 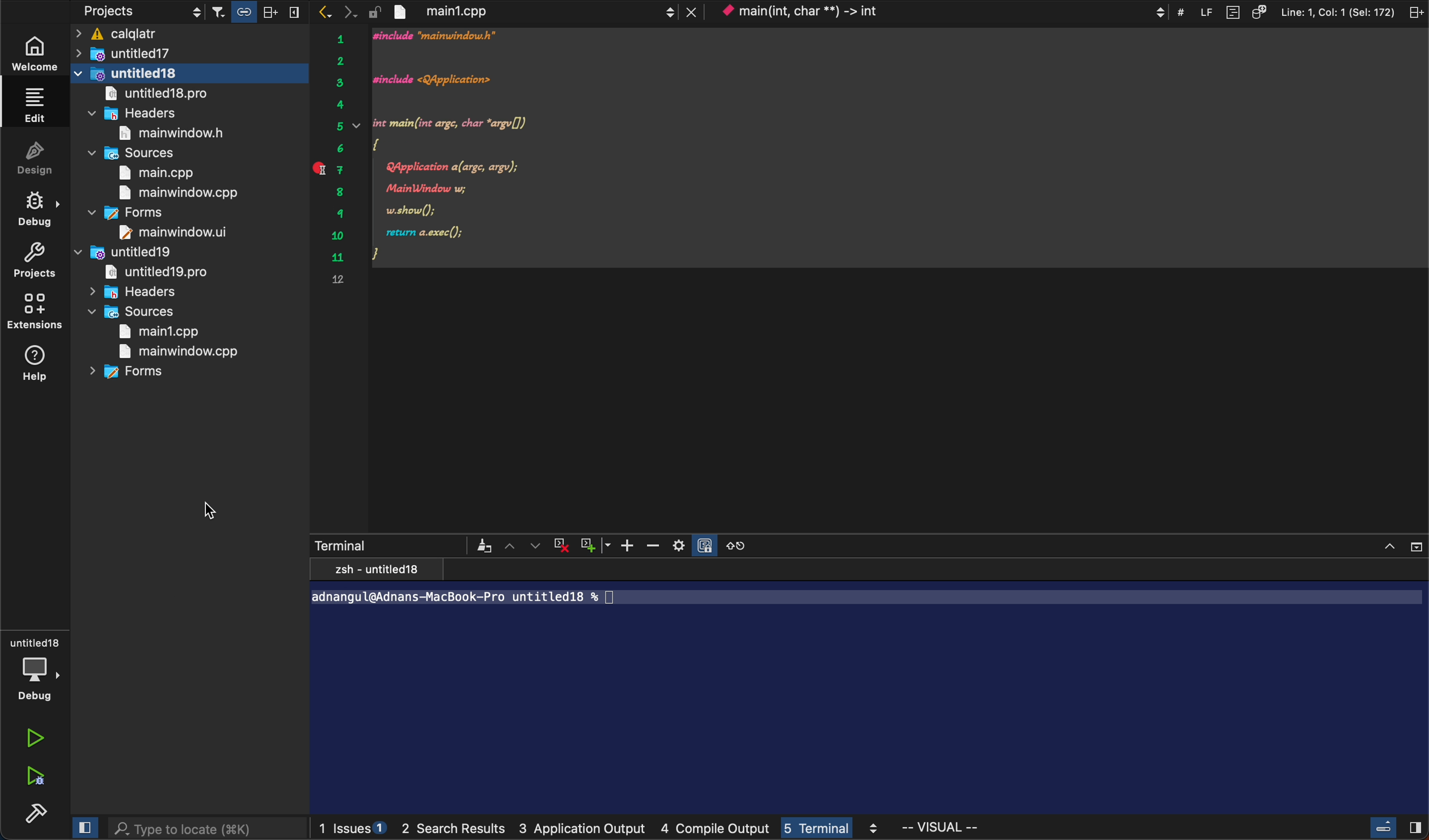 What do you see at coordinates (942, 12) in the screenshot?
I see `context` at bounding box center [942, 12].